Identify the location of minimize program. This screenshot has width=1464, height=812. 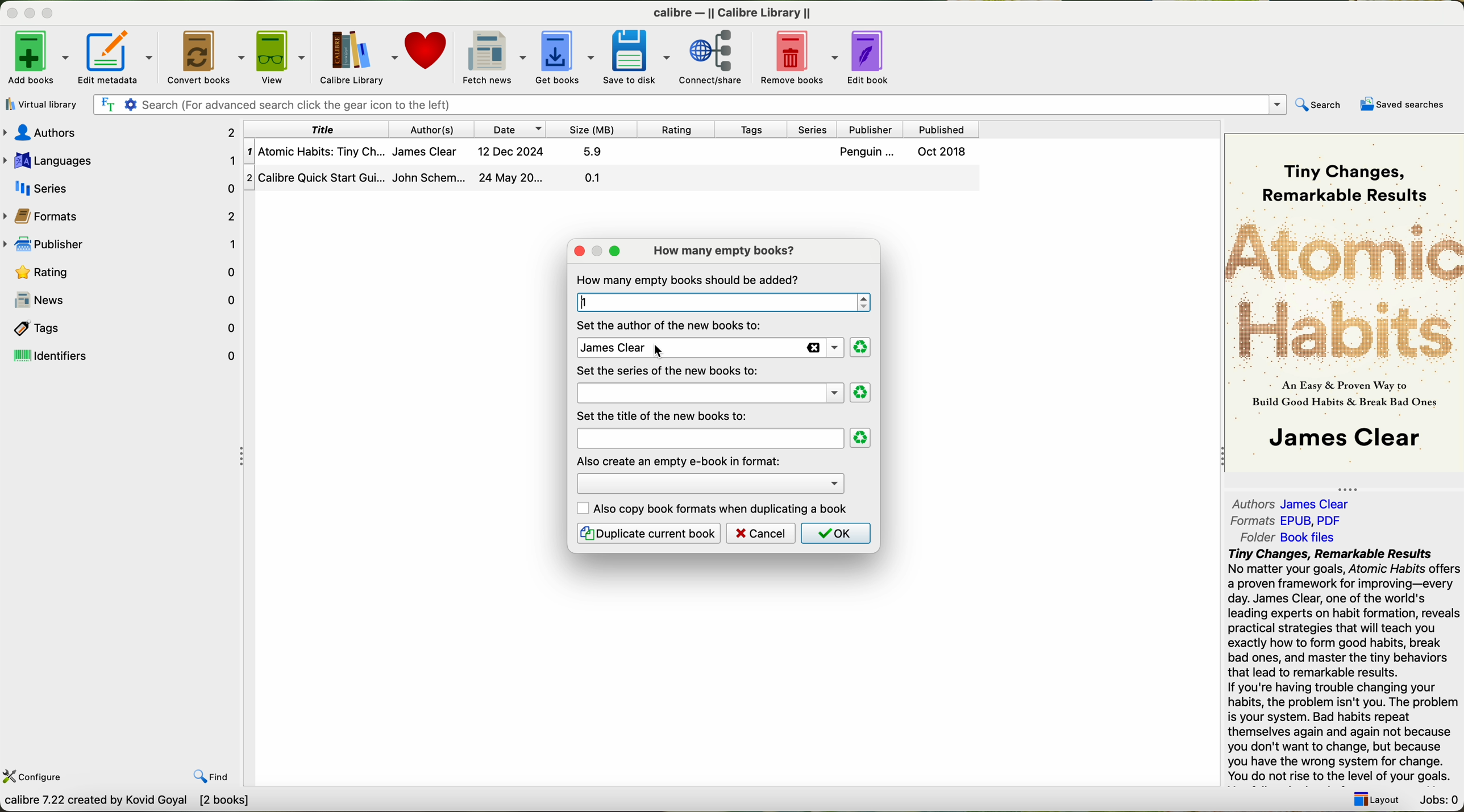
(28, 11).